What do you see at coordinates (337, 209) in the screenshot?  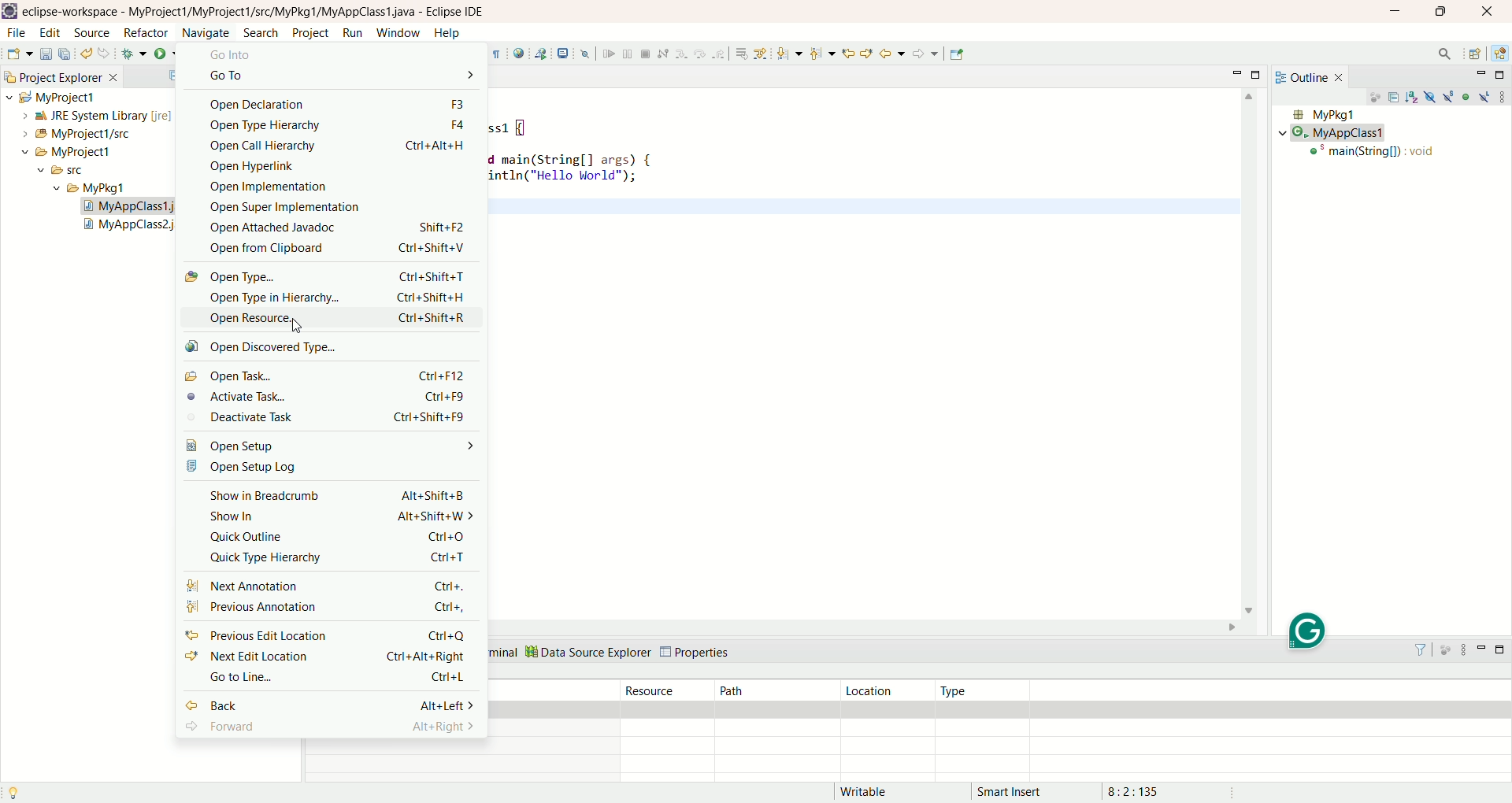 I see `open super implementation` at bounding box center [337, 209].